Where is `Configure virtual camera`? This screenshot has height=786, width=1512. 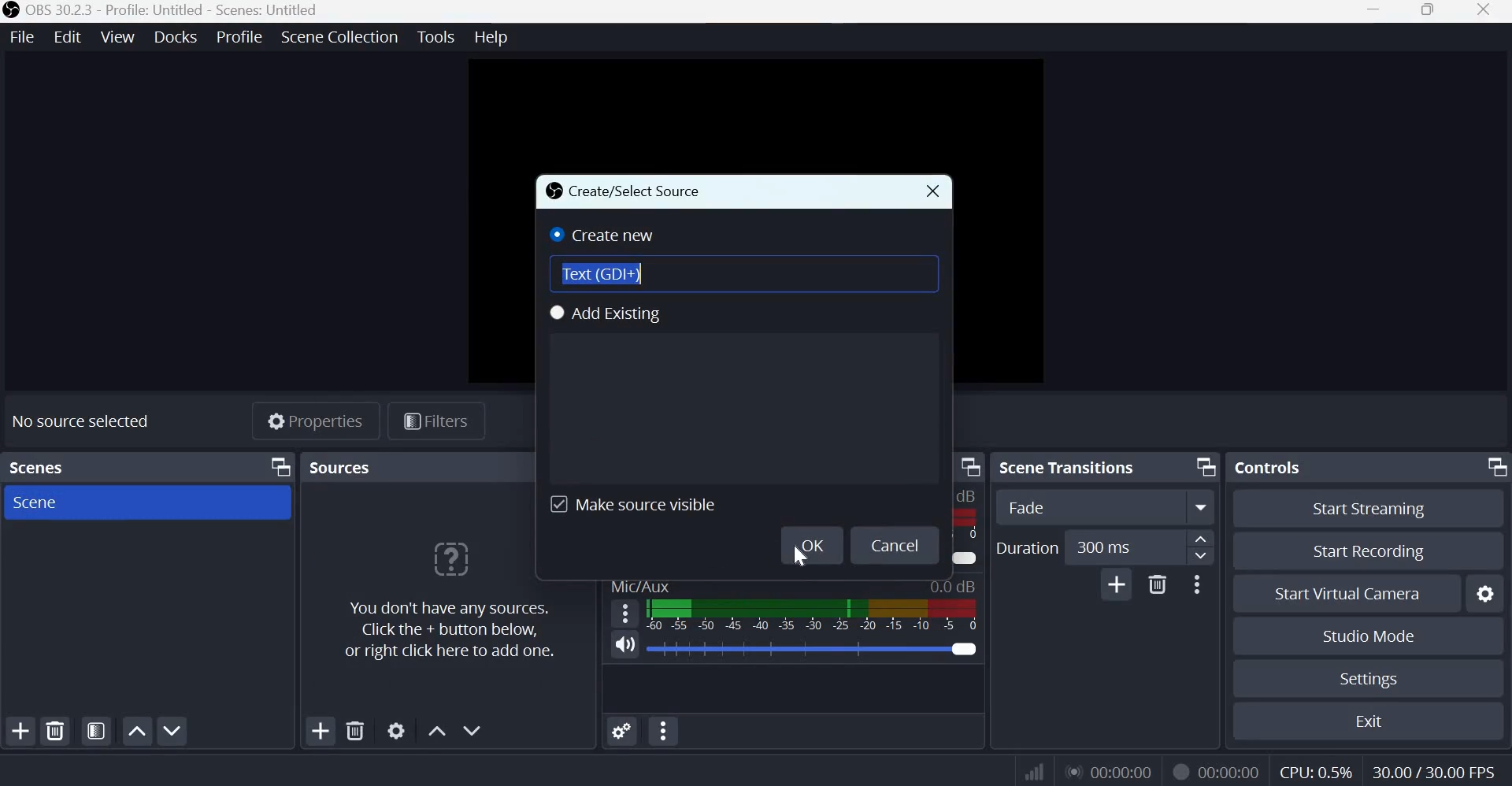 Configure virtual camera is located at coordinates (1485, 594).